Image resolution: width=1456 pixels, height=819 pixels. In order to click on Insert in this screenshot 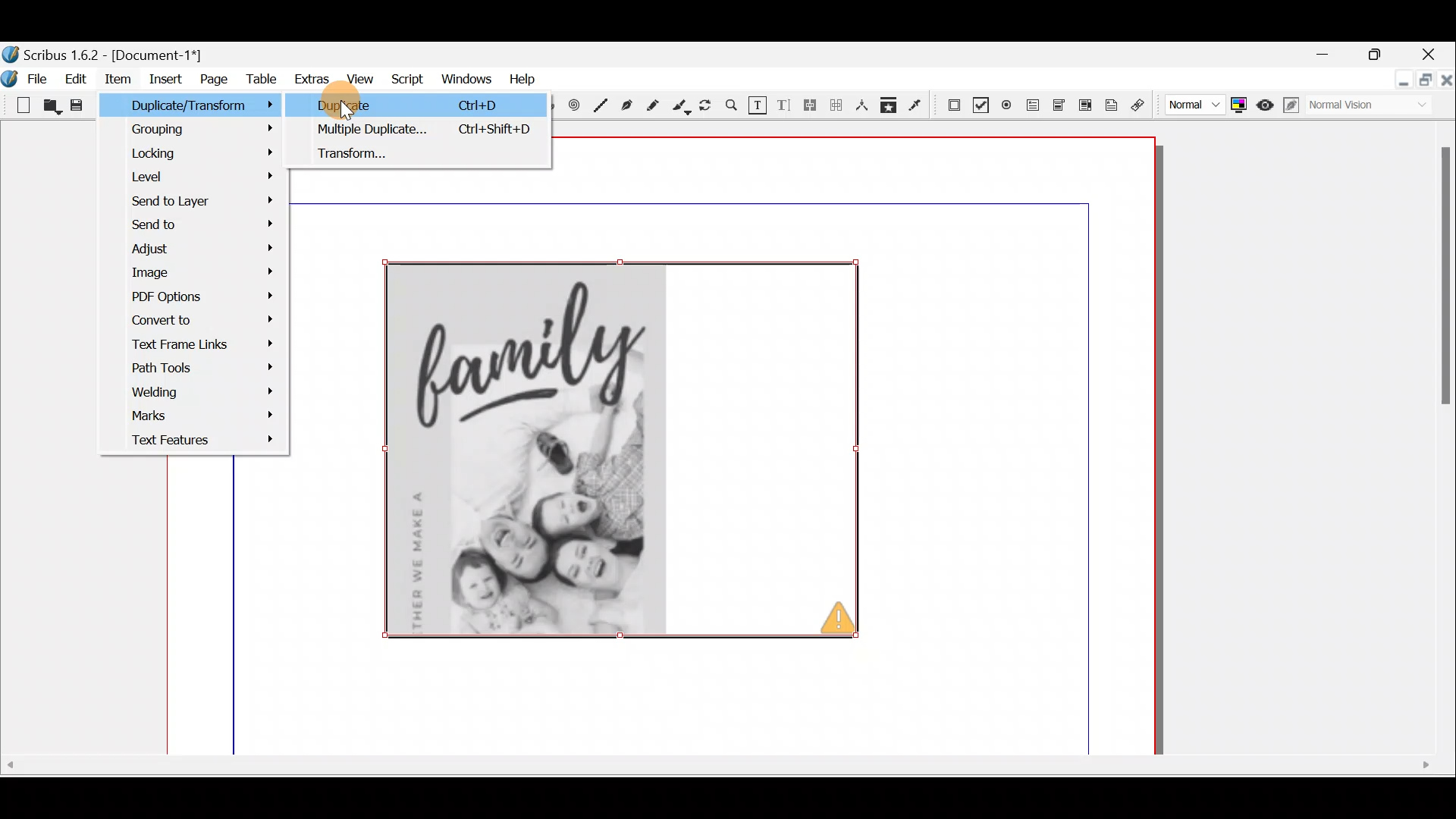, I will do `click(168, 82)`.